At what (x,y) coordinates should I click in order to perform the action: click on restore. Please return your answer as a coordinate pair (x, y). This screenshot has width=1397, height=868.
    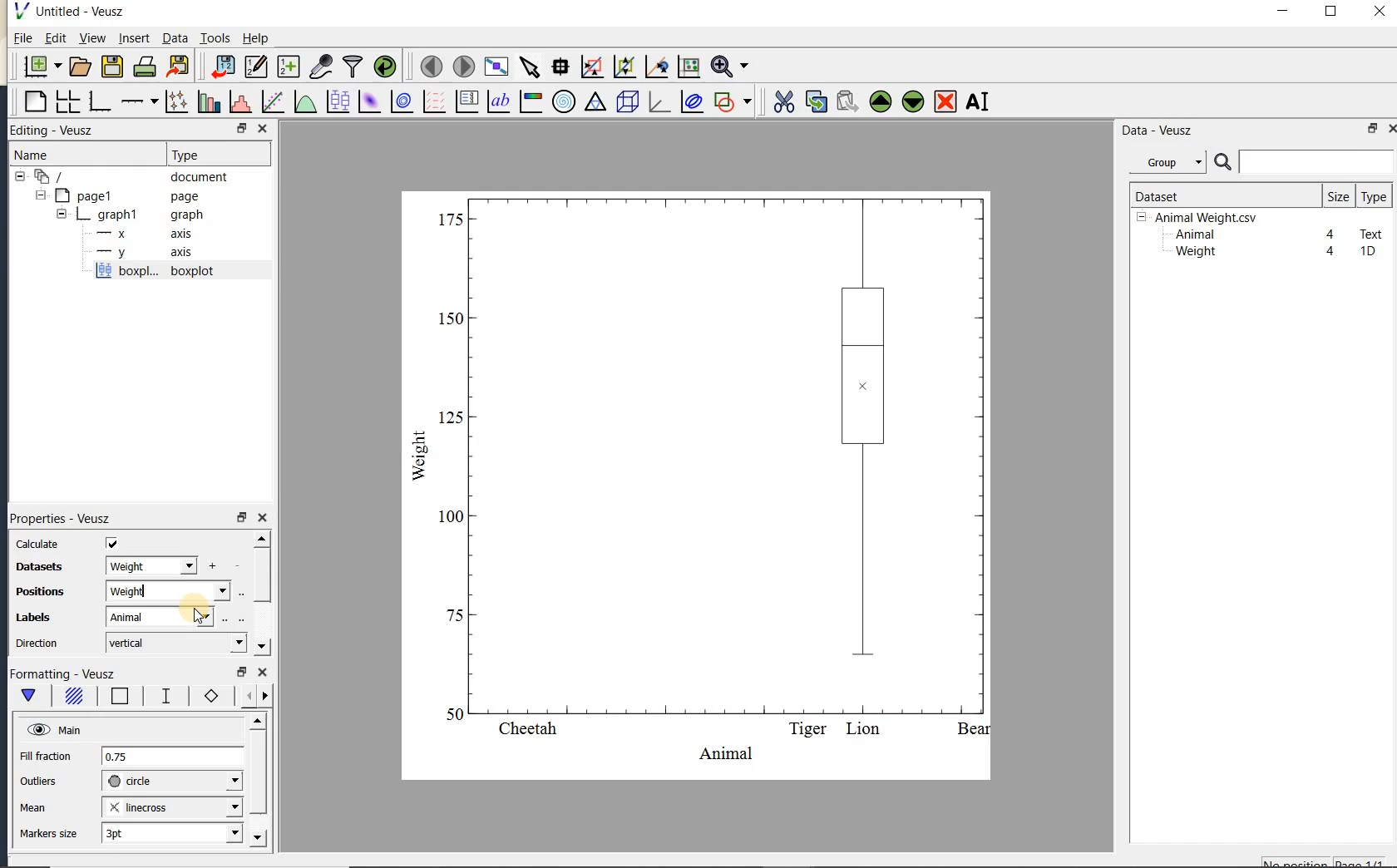
    Looking at the image, I should click on (1374, 128).